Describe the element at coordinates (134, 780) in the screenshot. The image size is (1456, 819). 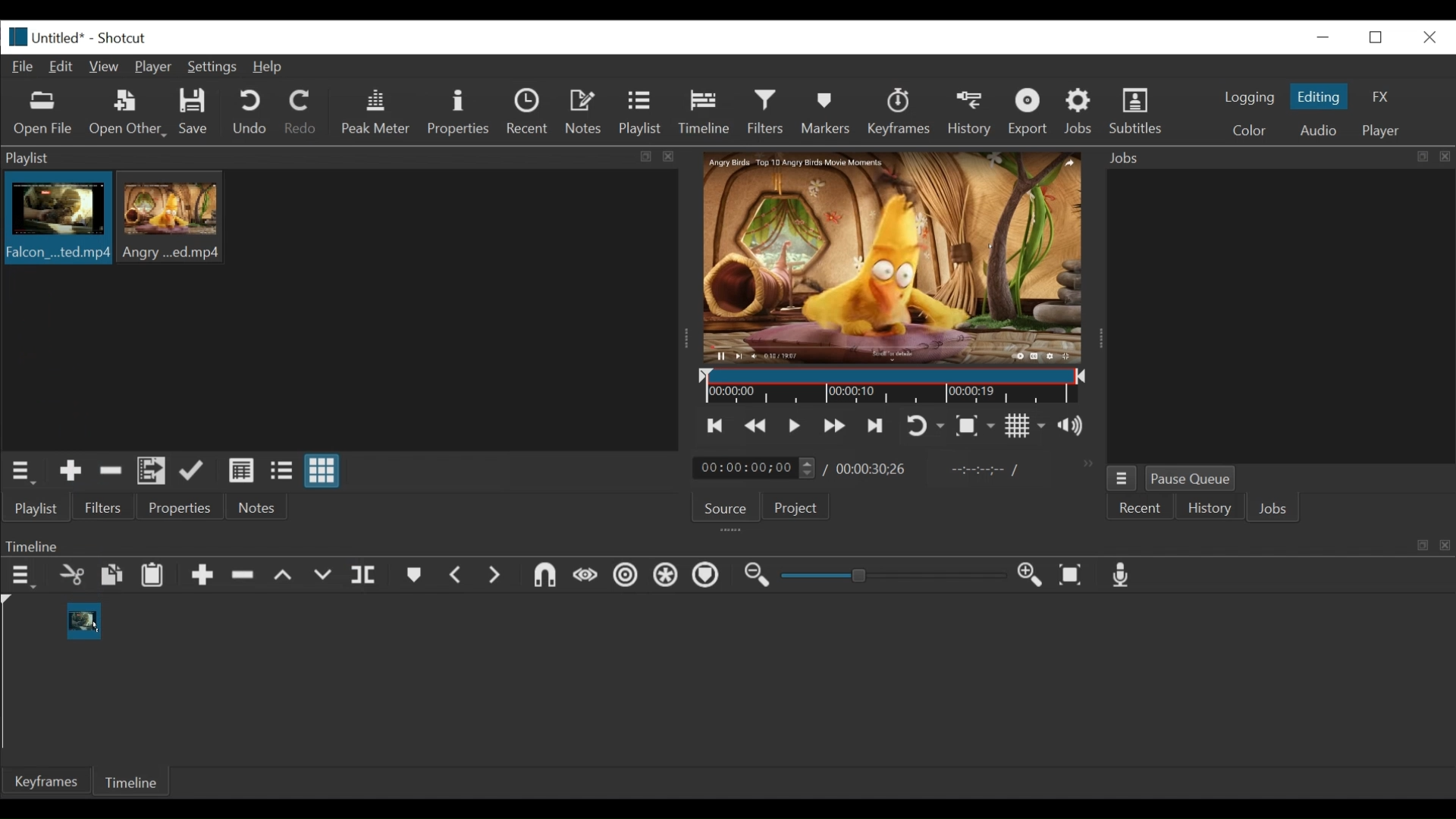
I see `Timeline` at that location.